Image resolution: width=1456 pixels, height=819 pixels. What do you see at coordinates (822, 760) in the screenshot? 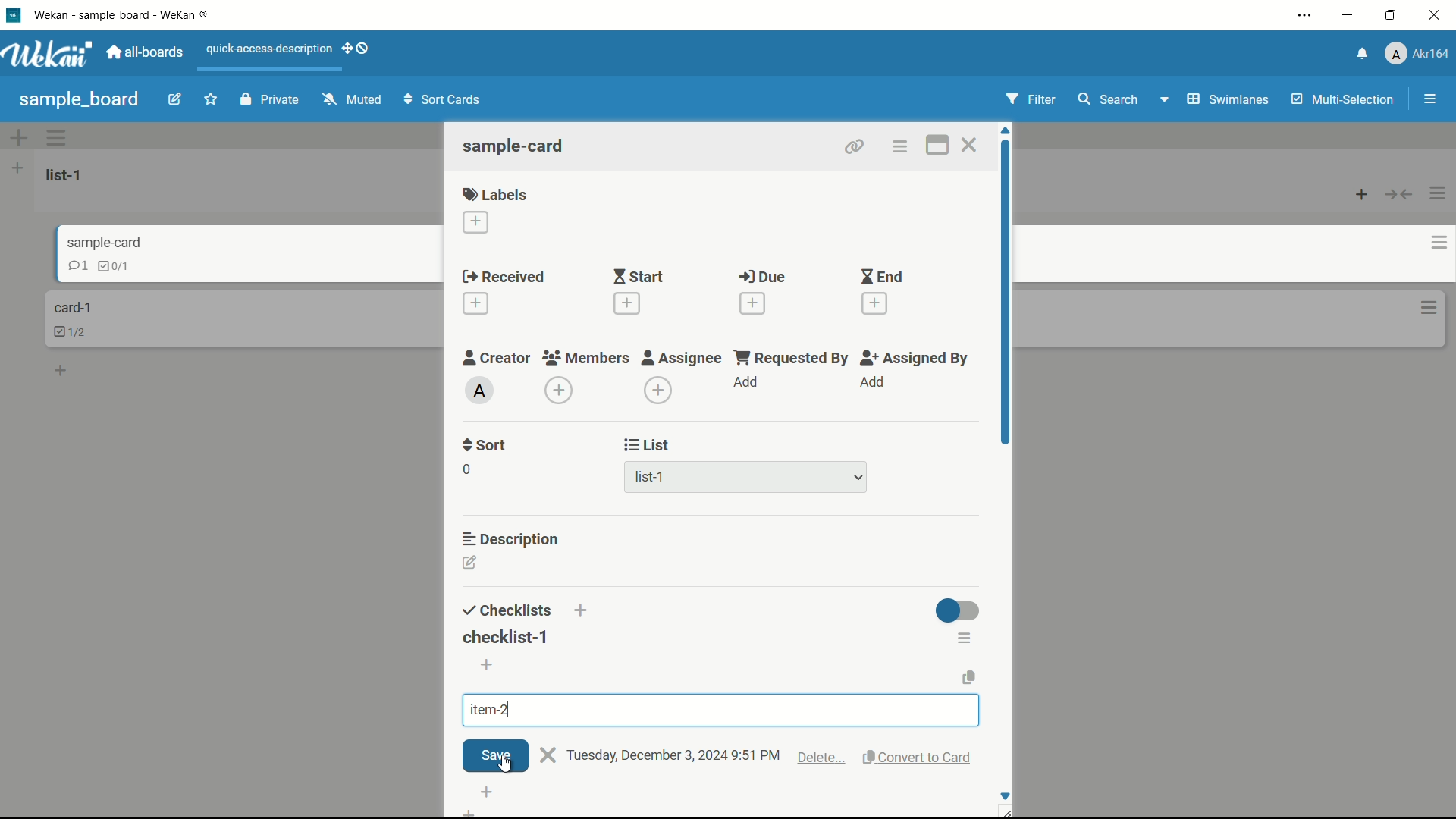
I see `delete` at bounding box center [822, 760].